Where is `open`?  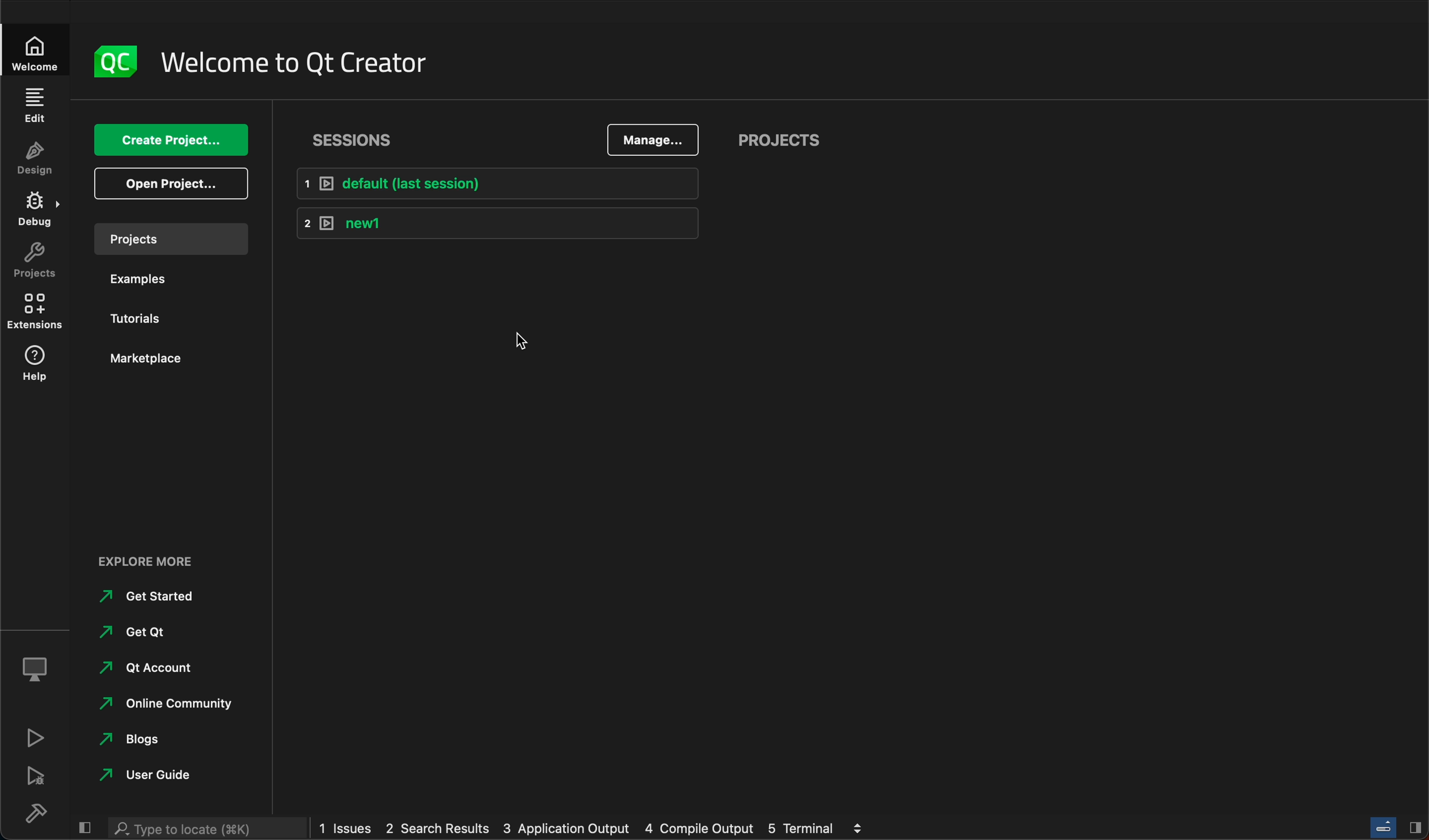
open is located at coordinates (169, 183).